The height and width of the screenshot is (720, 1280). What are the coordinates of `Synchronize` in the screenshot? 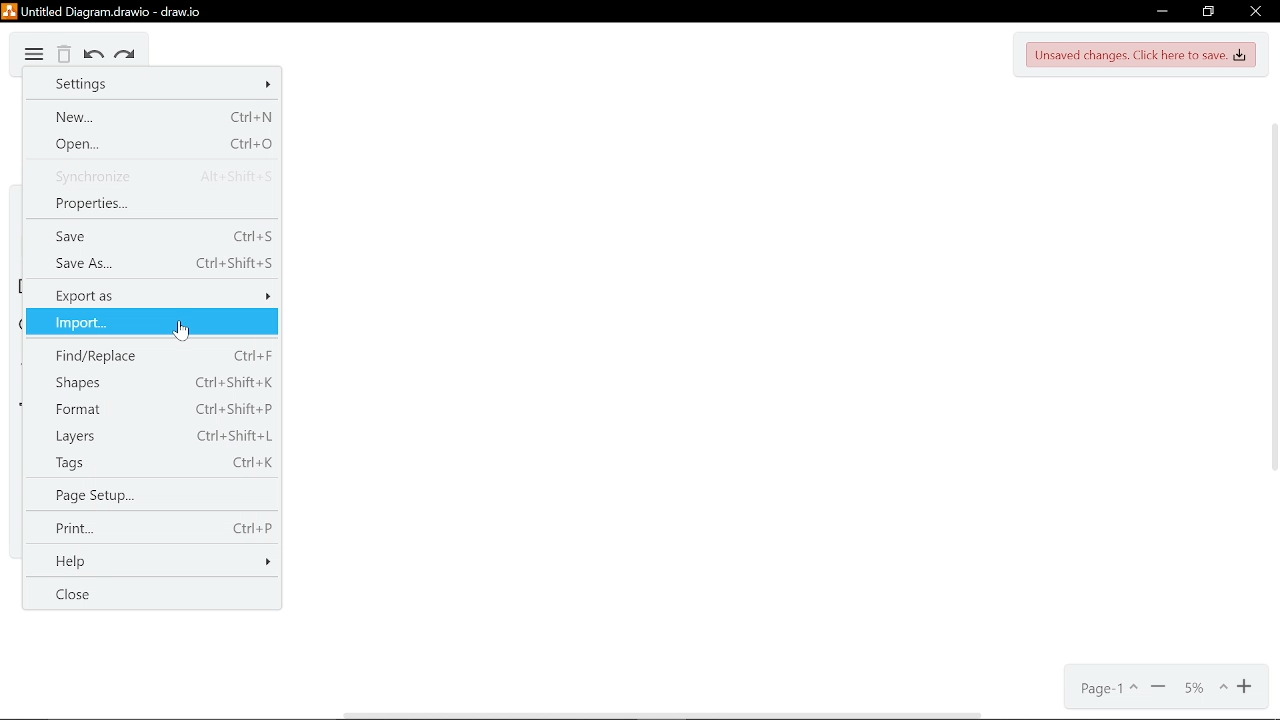 It's located at (150, 175).